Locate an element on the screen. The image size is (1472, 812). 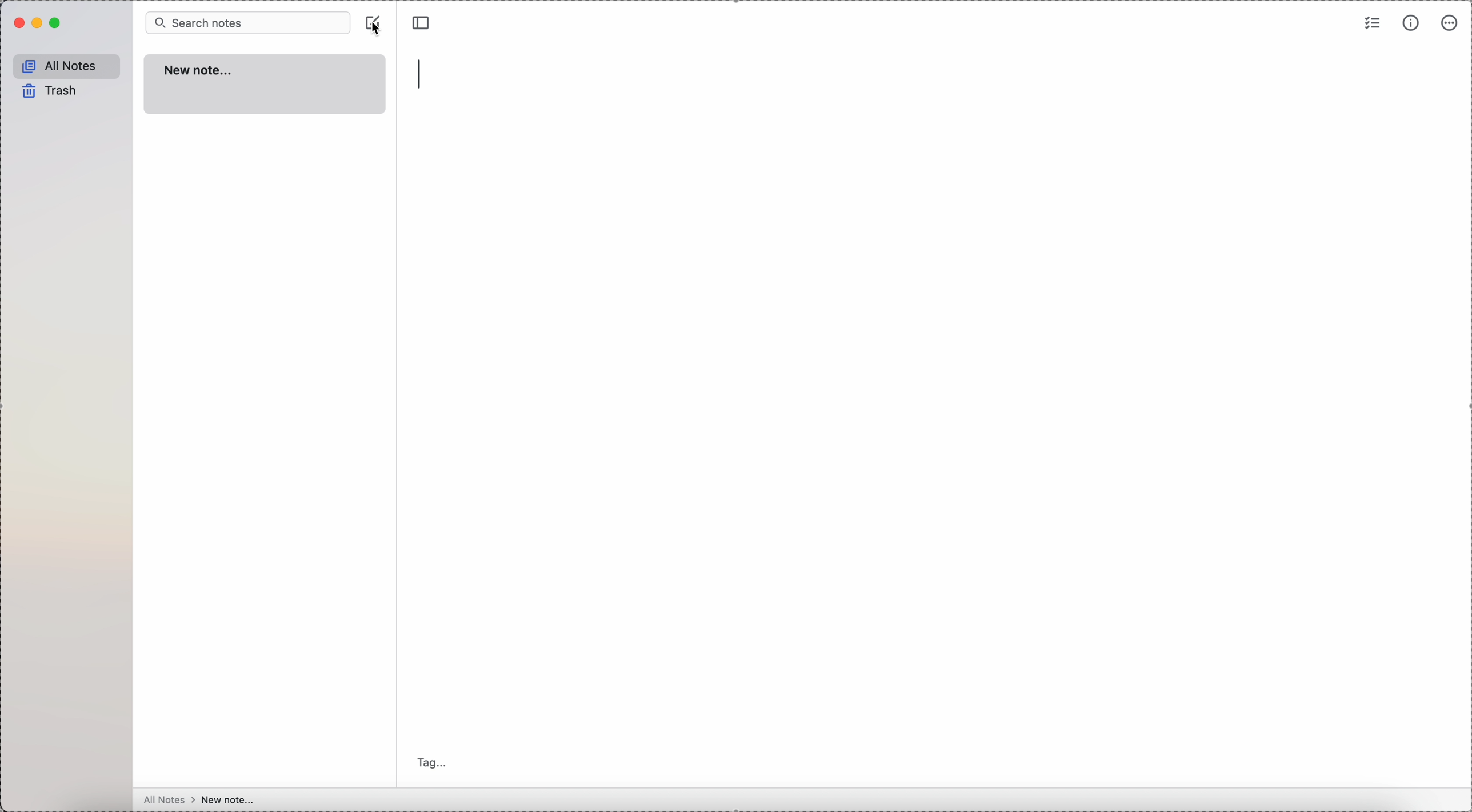
minimize Simplenote is located at coordinates (39, 24).